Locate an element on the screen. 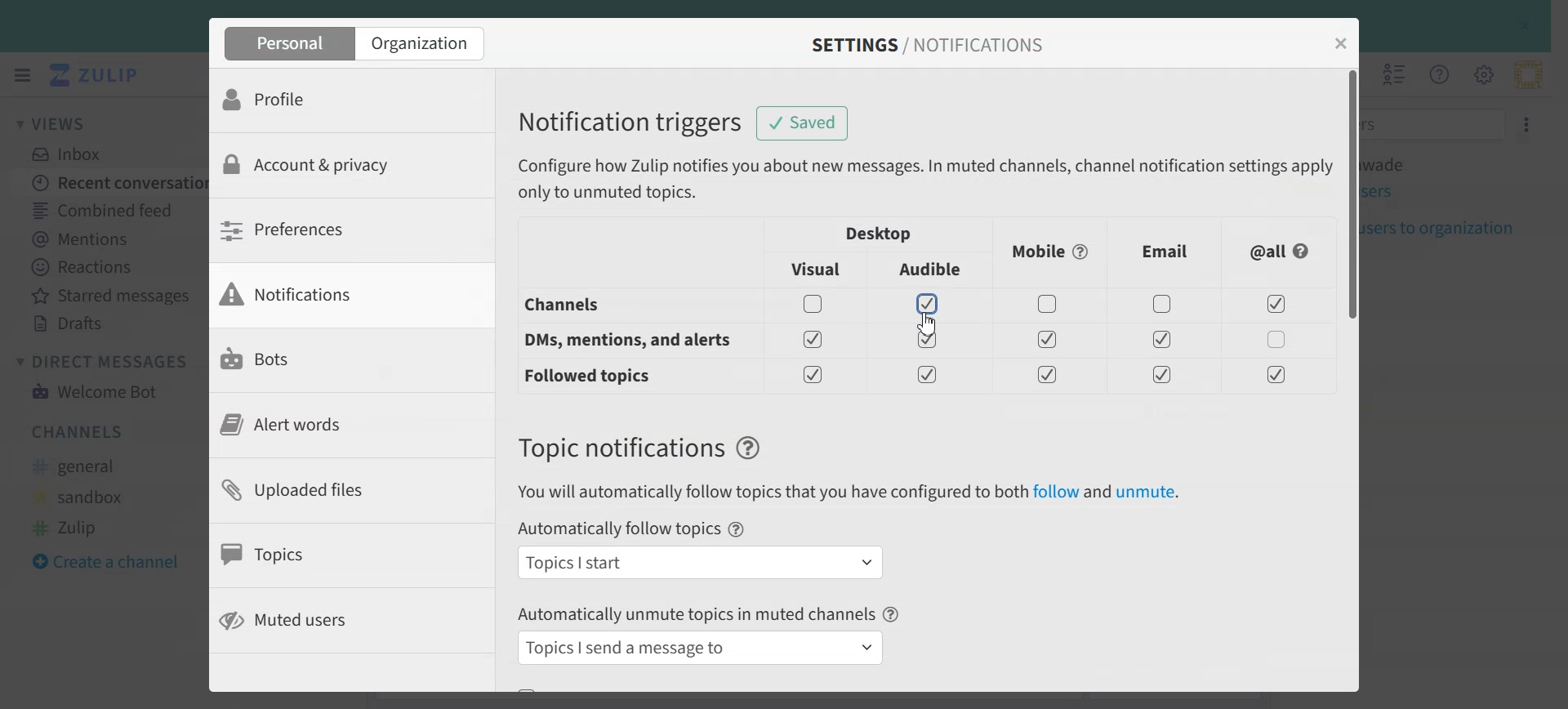 Image resolution: width=1568 pixels, height=709 pixels. Personal menu is located at coordinates (1528, 74).